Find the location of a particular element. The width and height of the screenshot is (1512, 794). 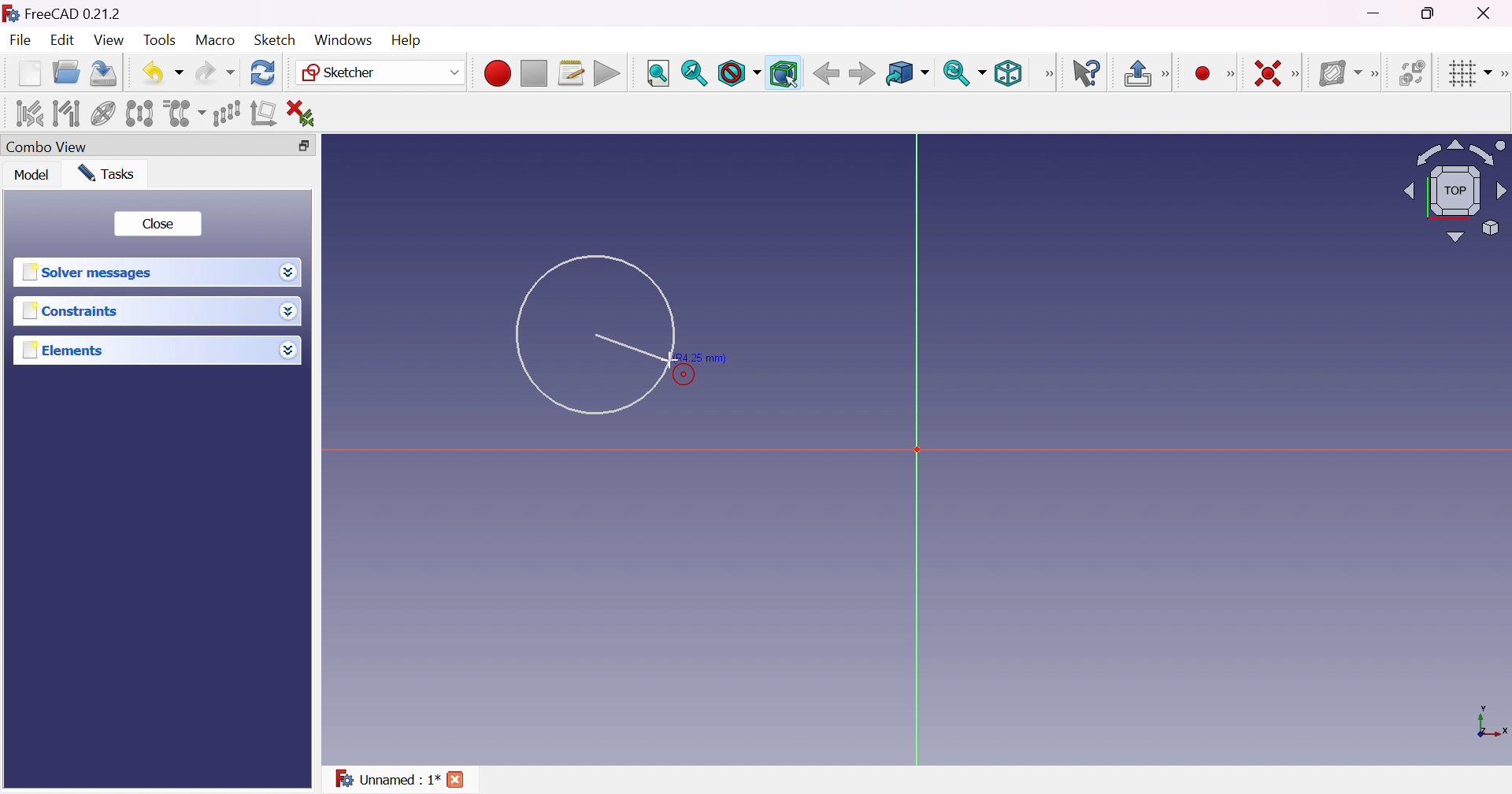

cursor is located at coordinates (667, 360).